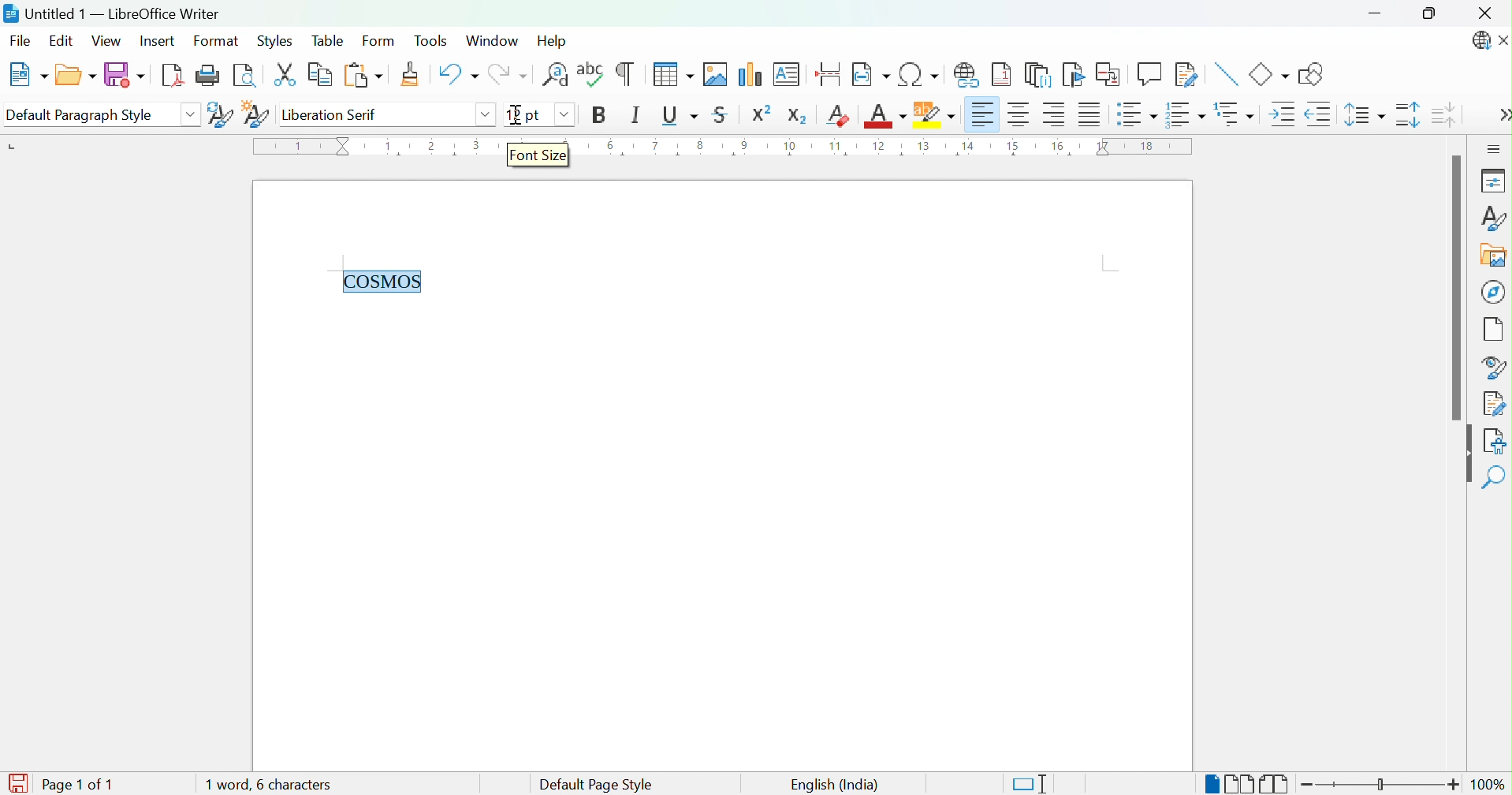 This screenshot has height=795, width=1512. What do you see at coordinates (1454, 784) in the screenshot?
I see `Zoom in` at bounding box center [1454, 784].